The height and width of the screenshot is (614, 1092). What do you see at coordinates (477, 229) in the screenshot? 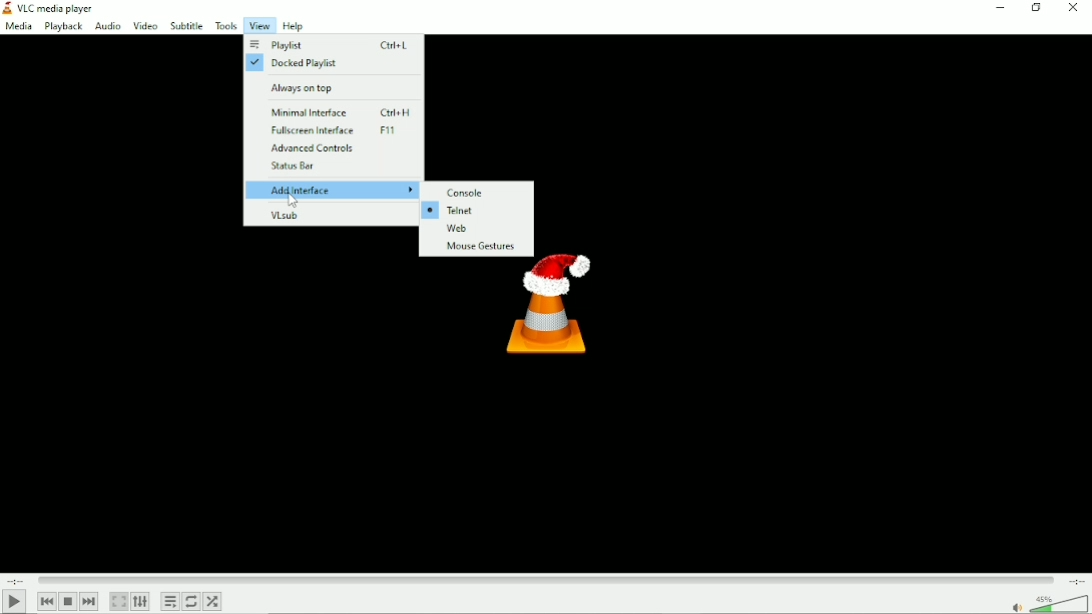
I see `Web` at bounding box center [477, 229].